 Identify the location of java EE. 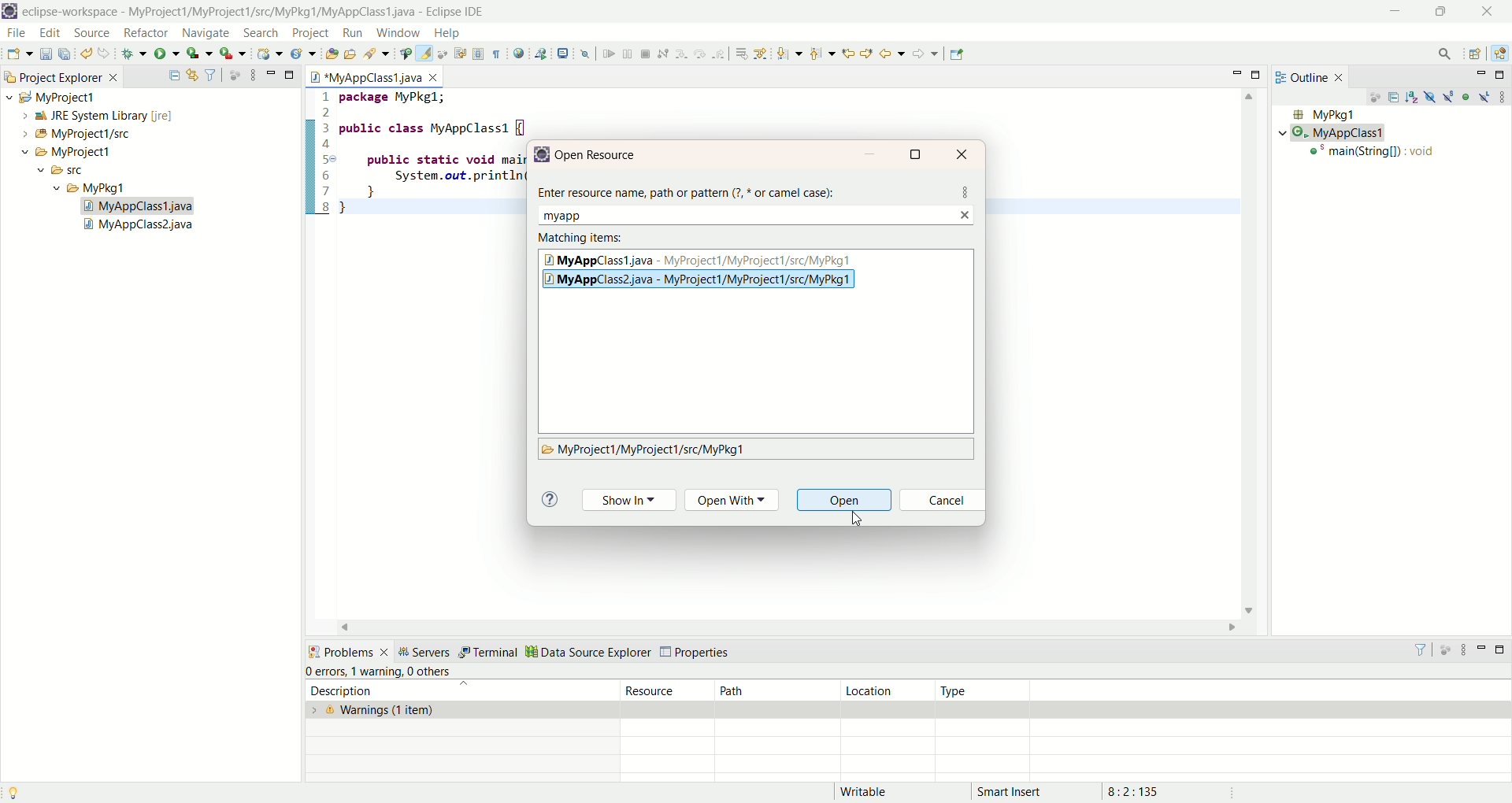
(1502, 52).